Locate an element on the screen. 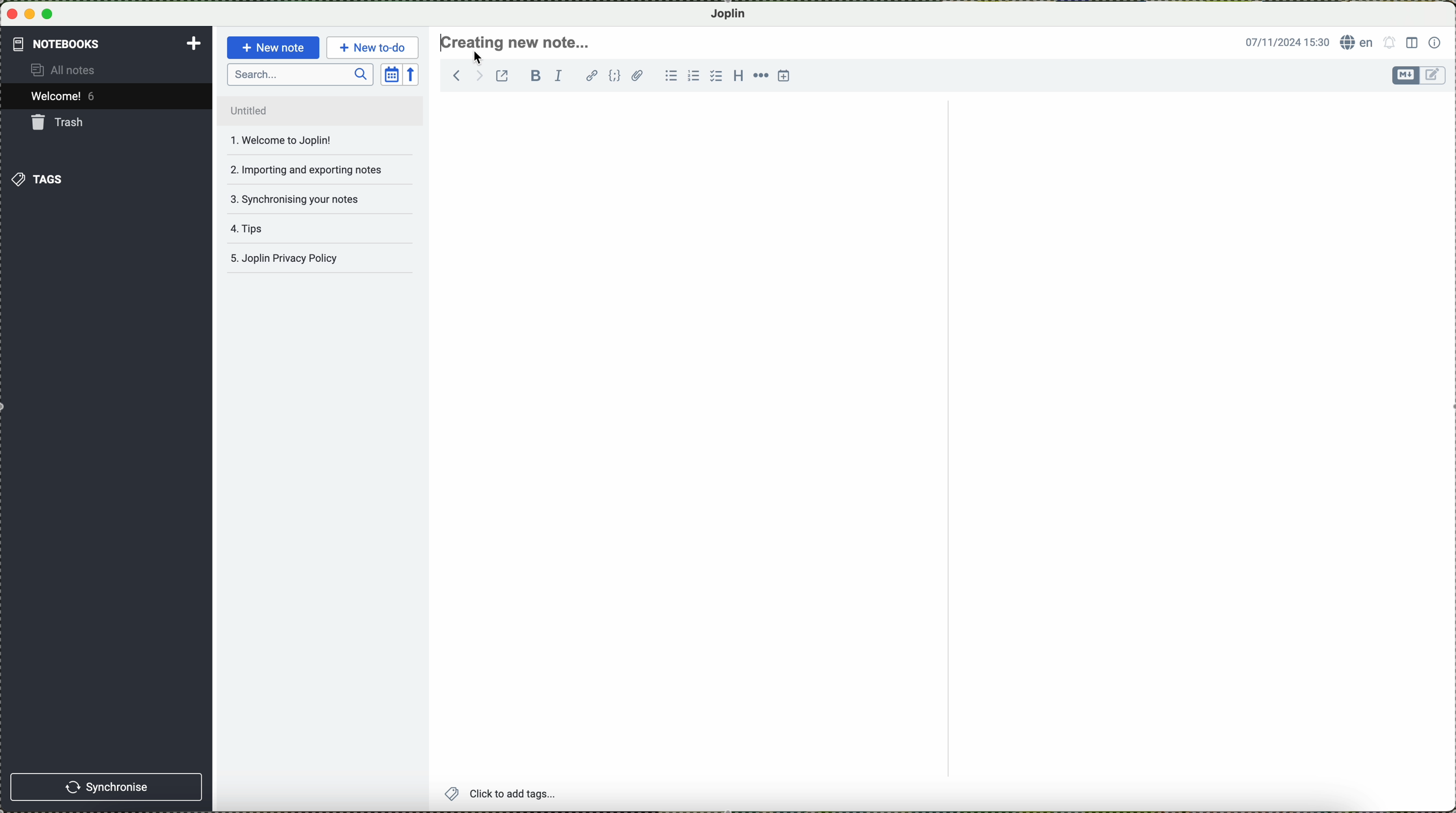  synchronising your notes is located at coordinates (304, 198).